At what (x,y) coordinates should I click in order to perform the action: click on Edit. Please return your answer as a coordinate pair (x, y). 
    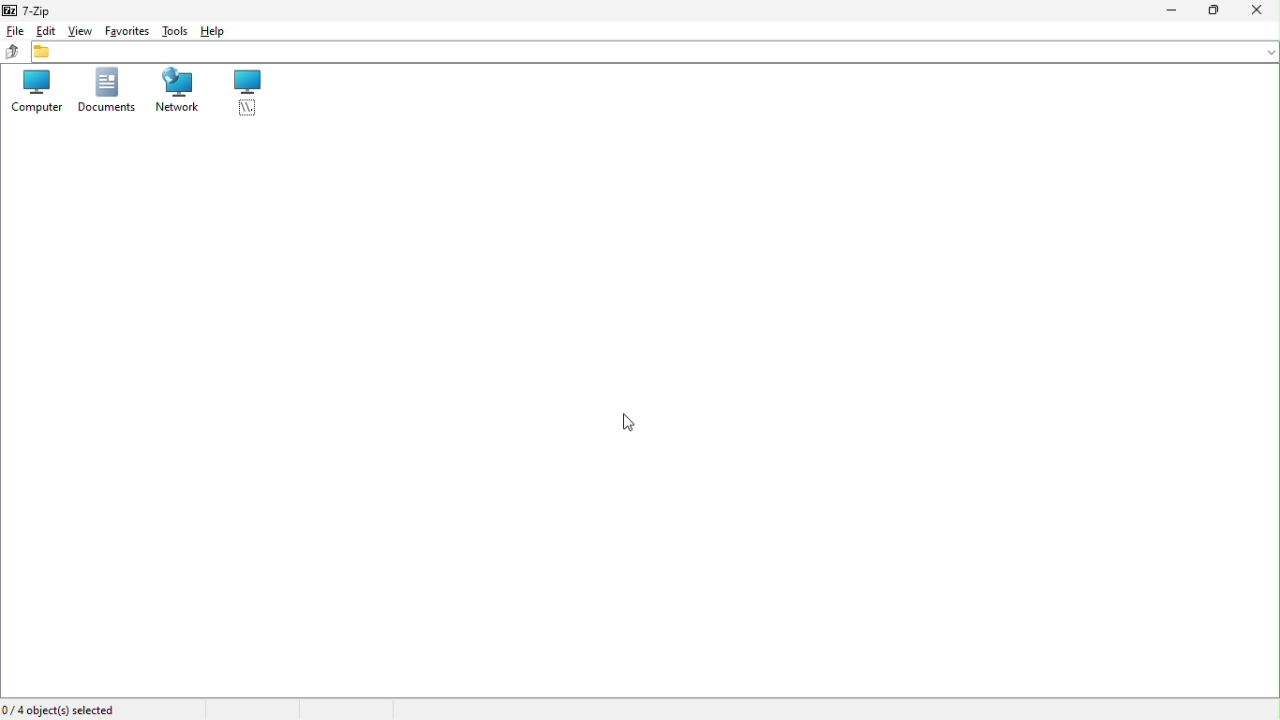
    Looking at the image, I should click on (47, 31).